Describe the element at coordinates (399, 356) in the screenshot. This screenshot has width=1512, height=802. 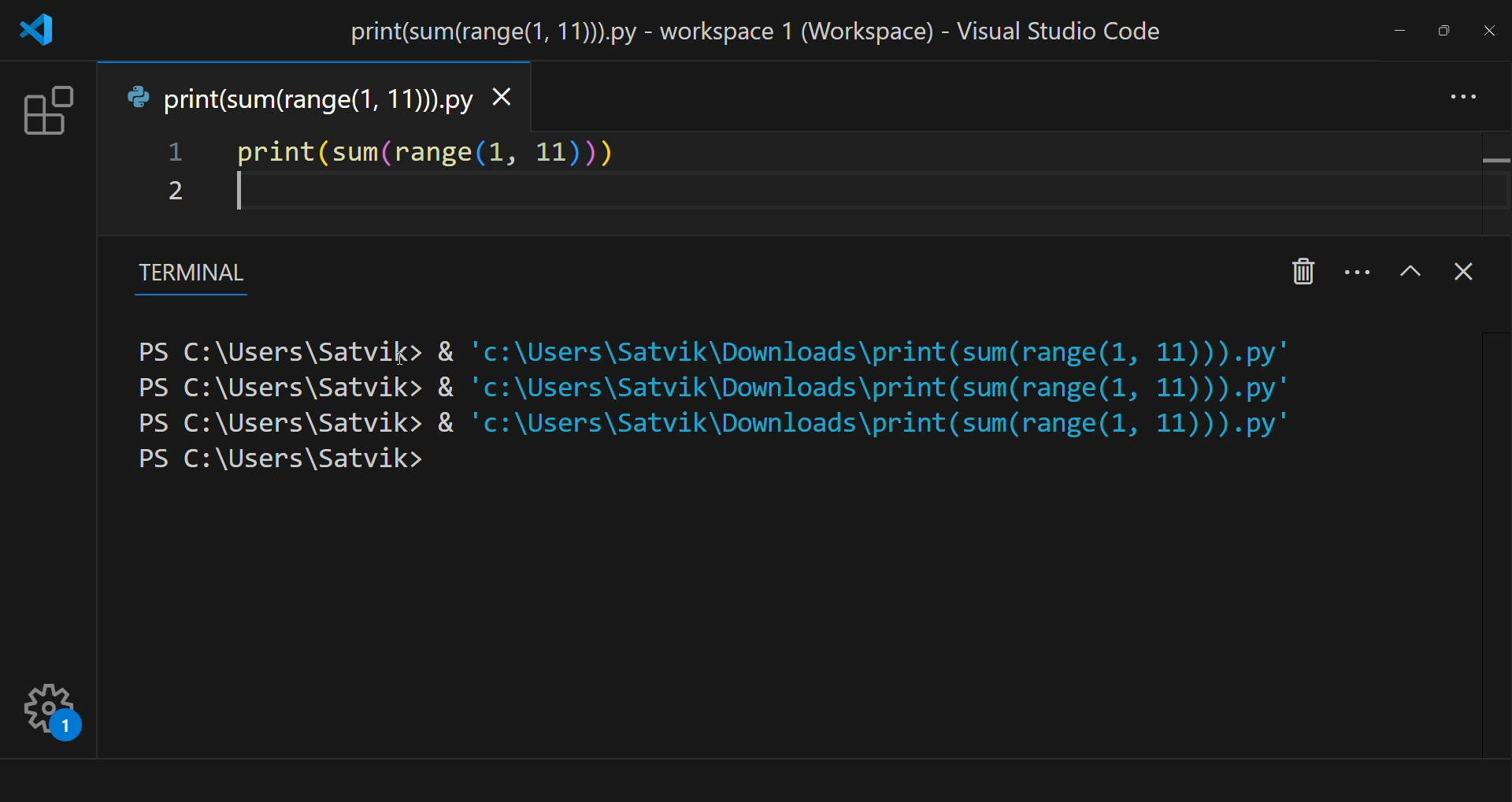
I see `cursor` at that location.